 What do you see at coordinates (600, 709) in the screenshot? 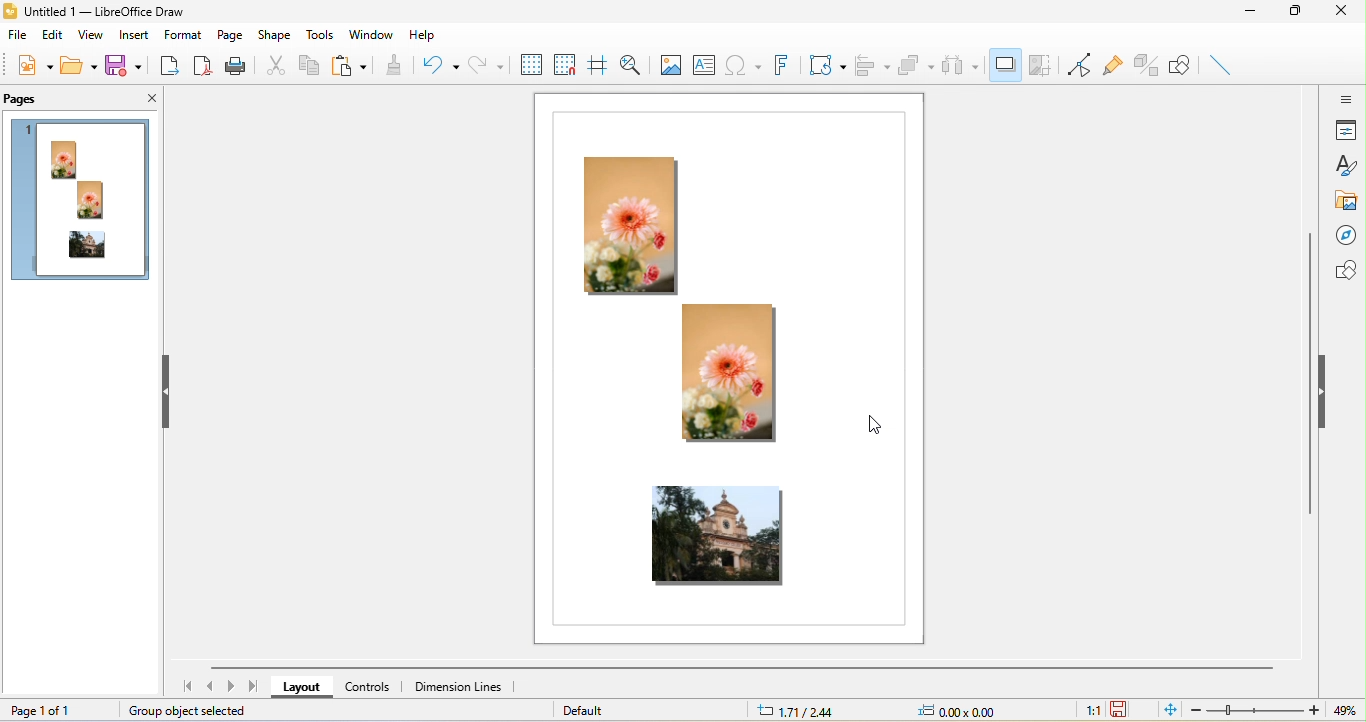
I see `default` at bounding box center [600, 709].